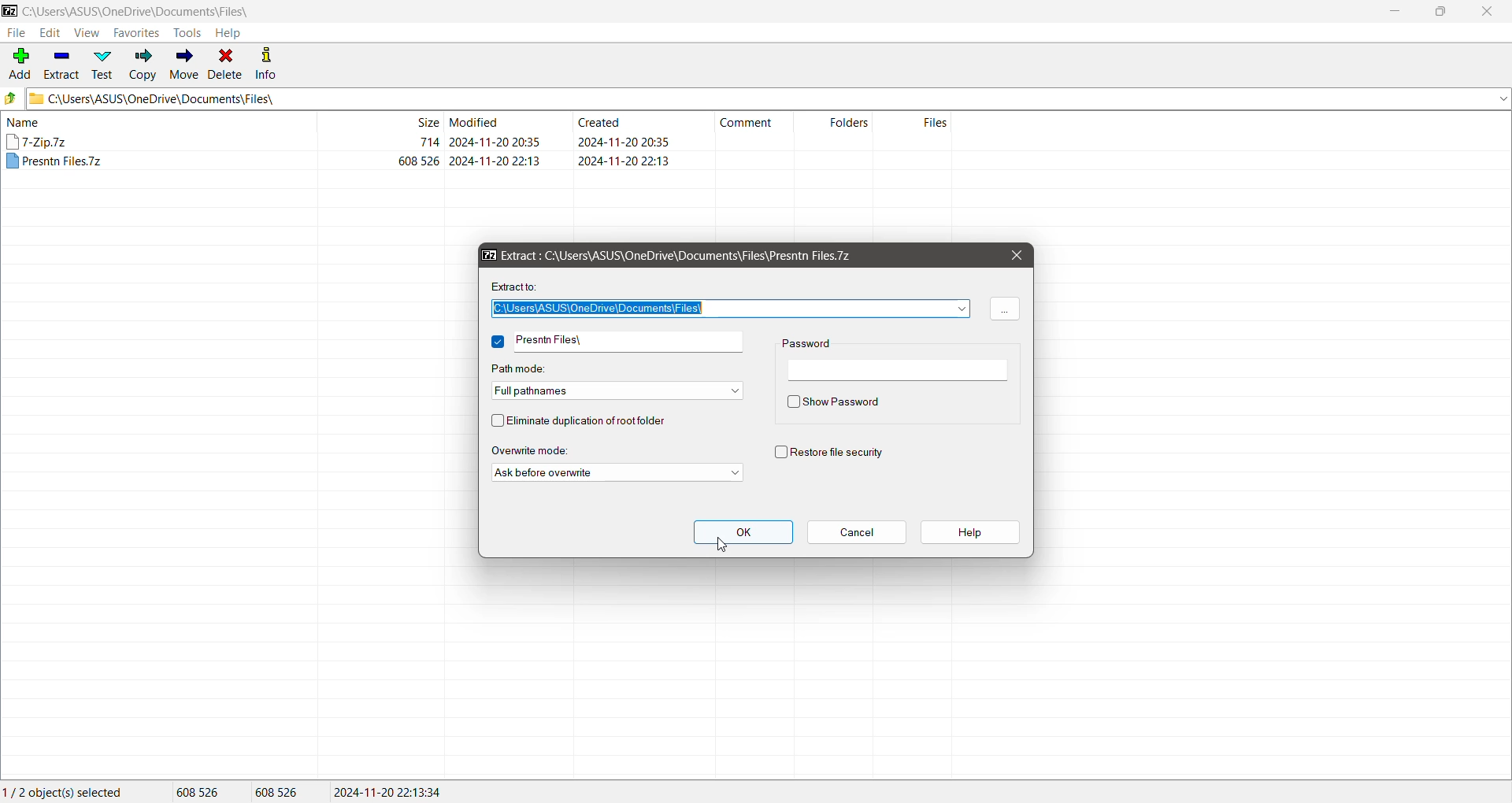 This screenshot has height=803, width=1512. Describe the element at coordinates (1004, 309) in the screenshot. I see `Browse for more locations` at that location.